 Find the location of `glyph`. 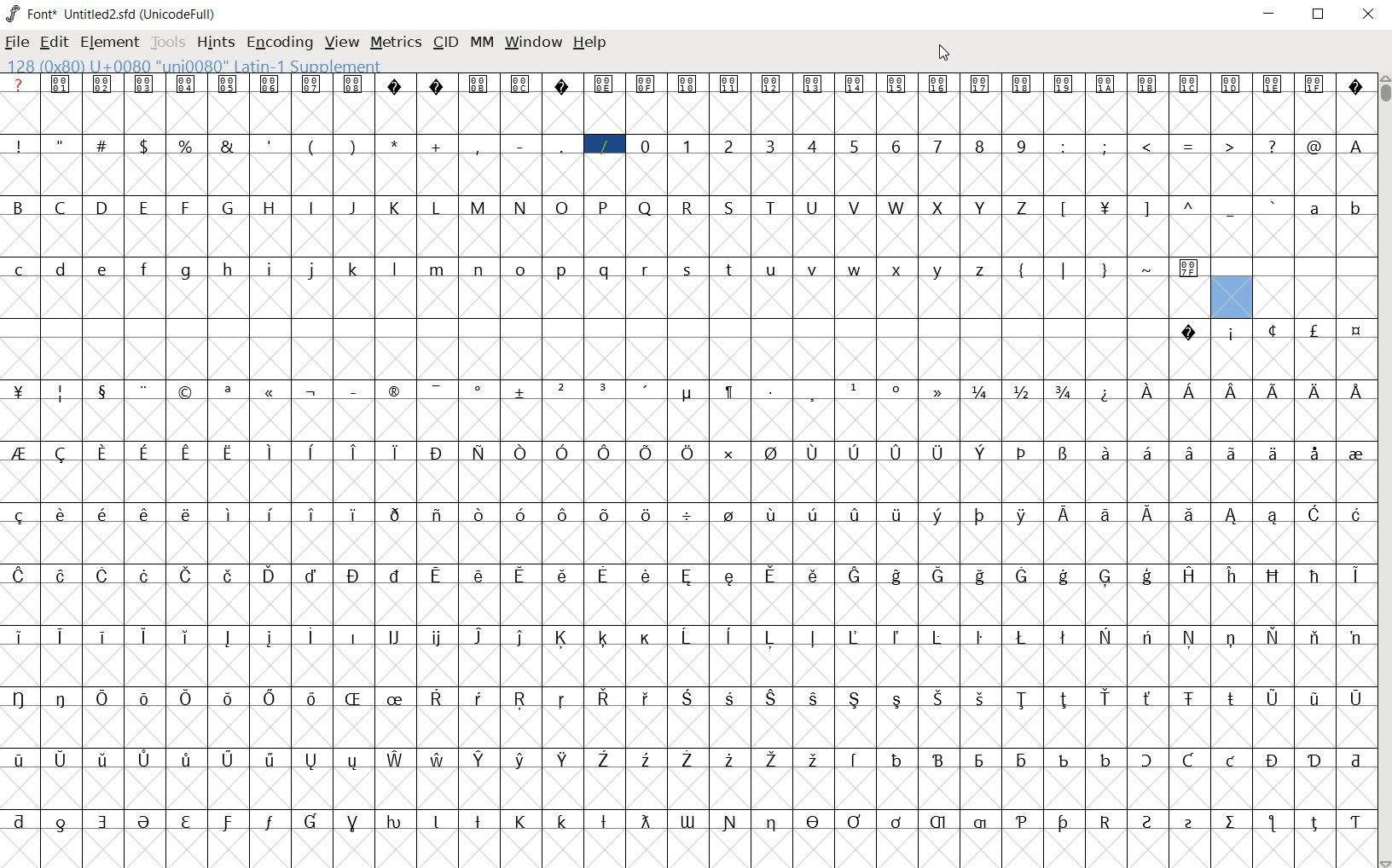

glyph is located at coordinates (520, 699).